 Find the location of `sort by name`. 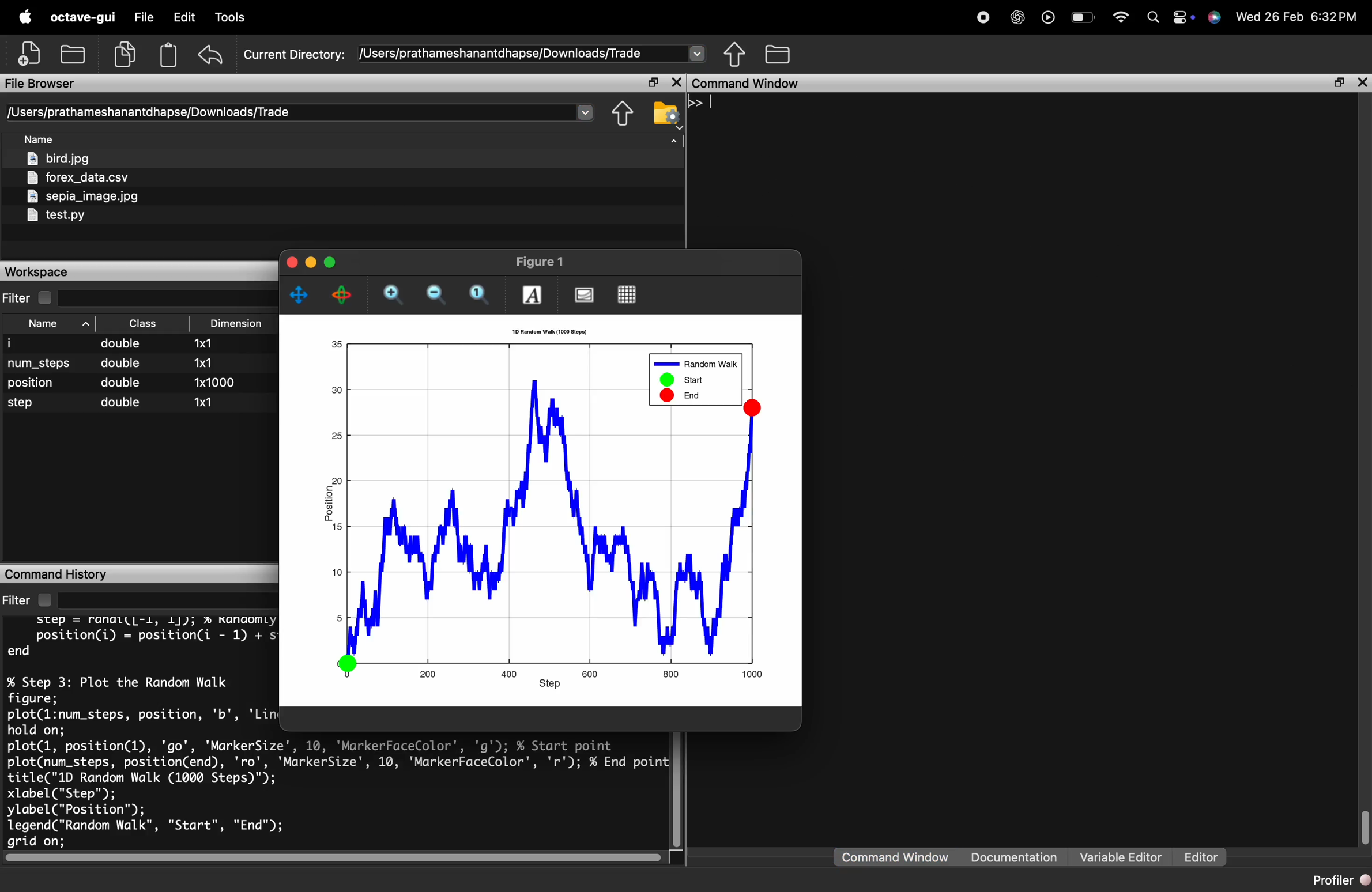

sort by name is located at coordinates (56, 324).